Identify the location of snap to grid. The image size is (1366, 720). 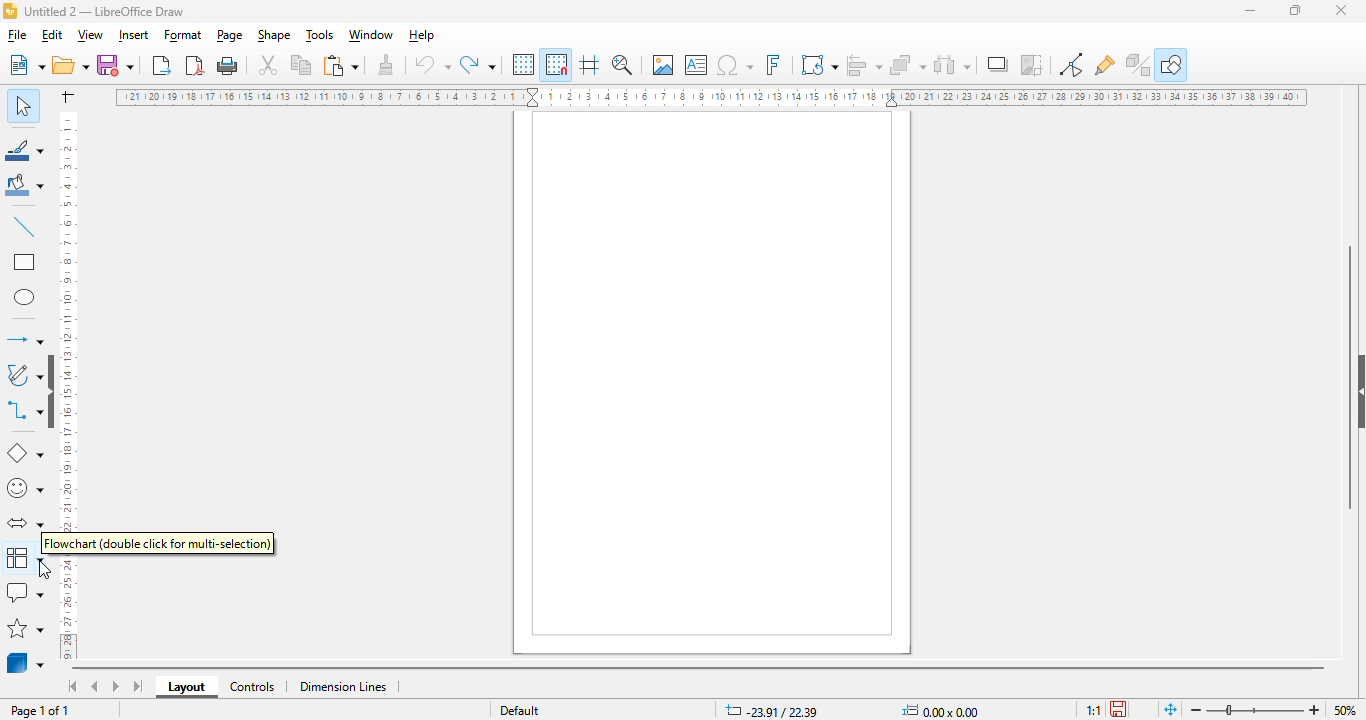
(557, 64).